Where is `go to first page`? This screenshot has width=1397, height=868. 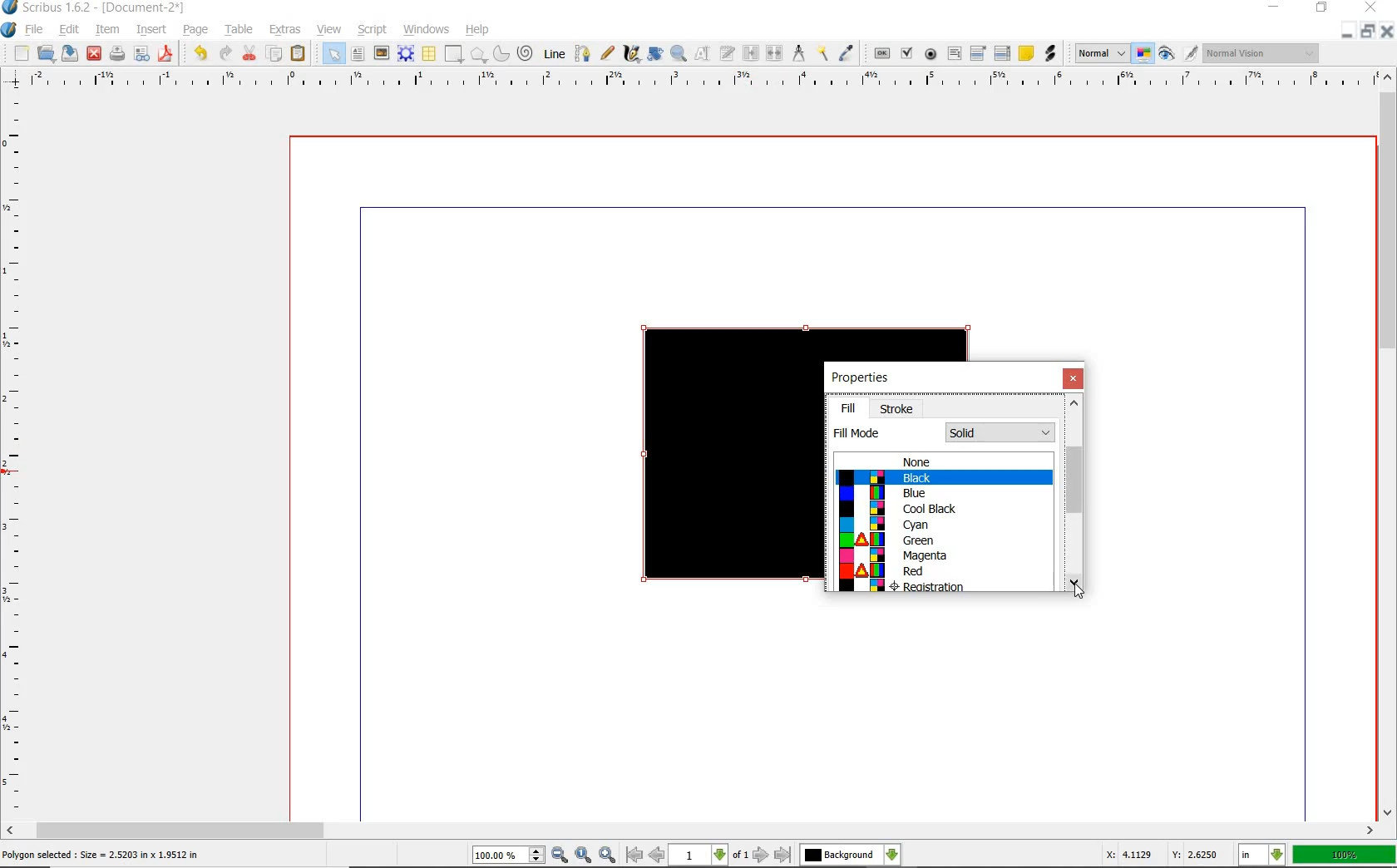 go to first page is located at coordinates (634, 856).